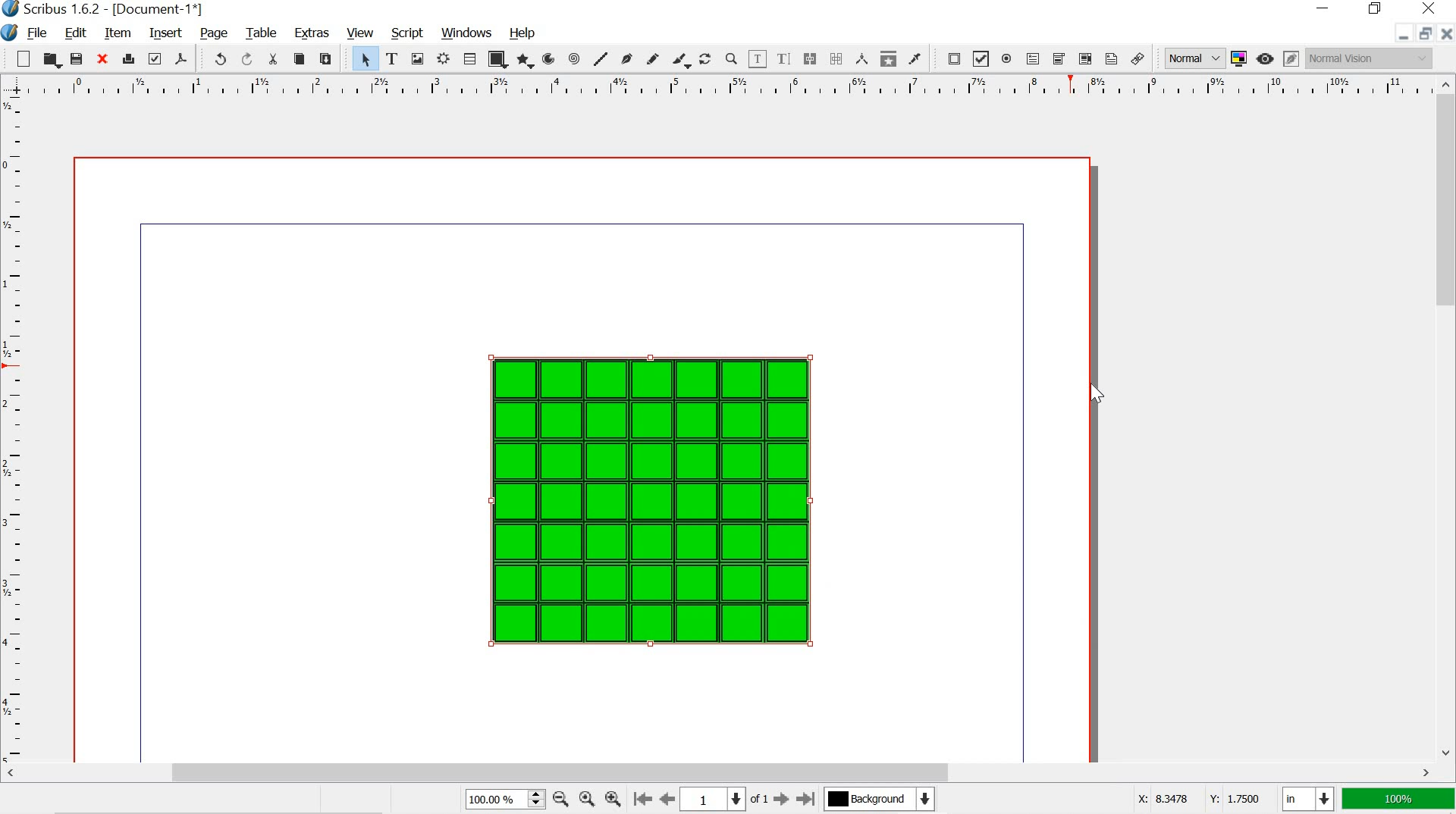  I want to click on redo, so click(246, 58).